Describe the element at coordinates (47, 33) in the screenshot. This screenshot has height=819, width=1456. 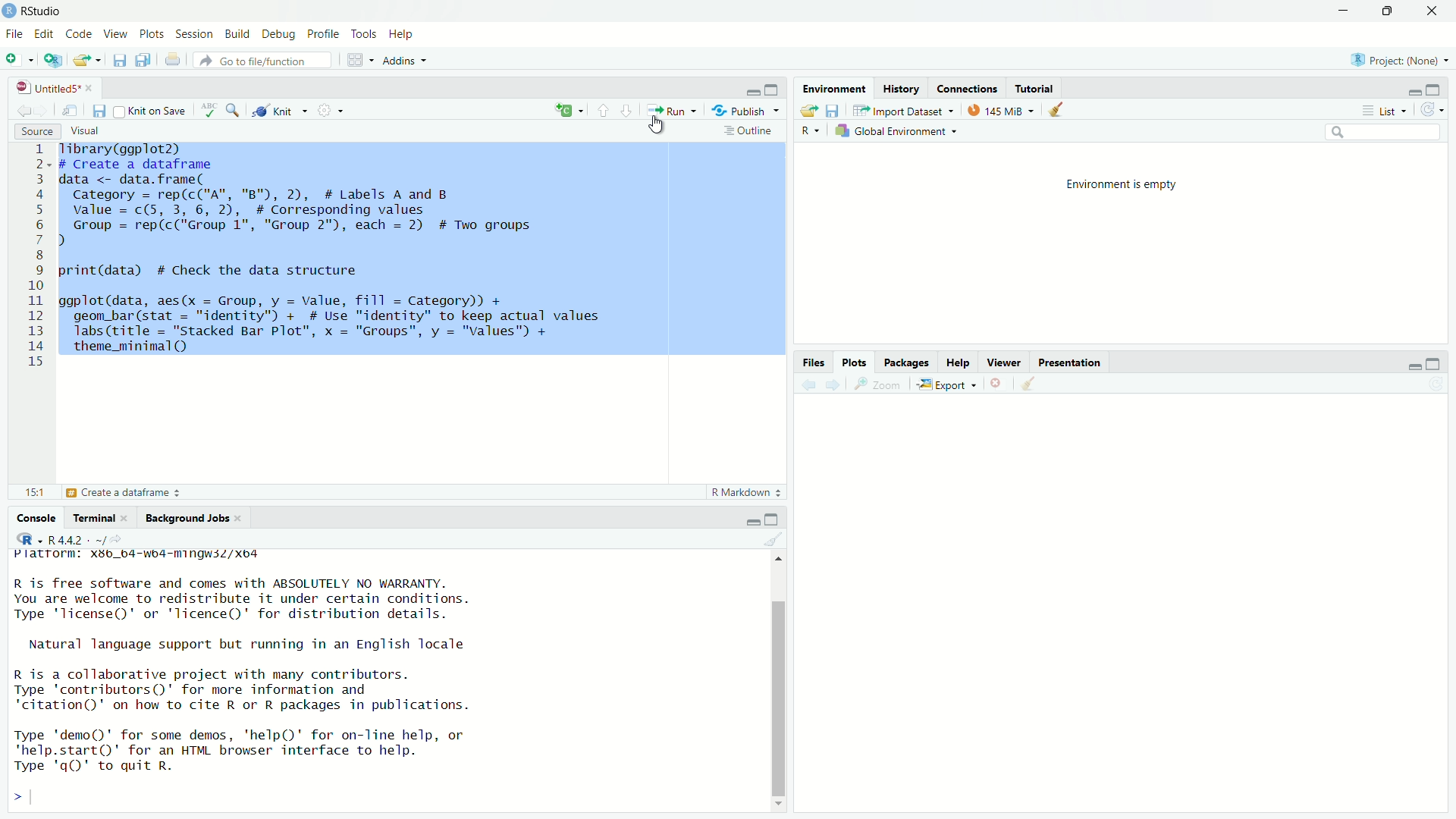
I see `Edit` at that location.